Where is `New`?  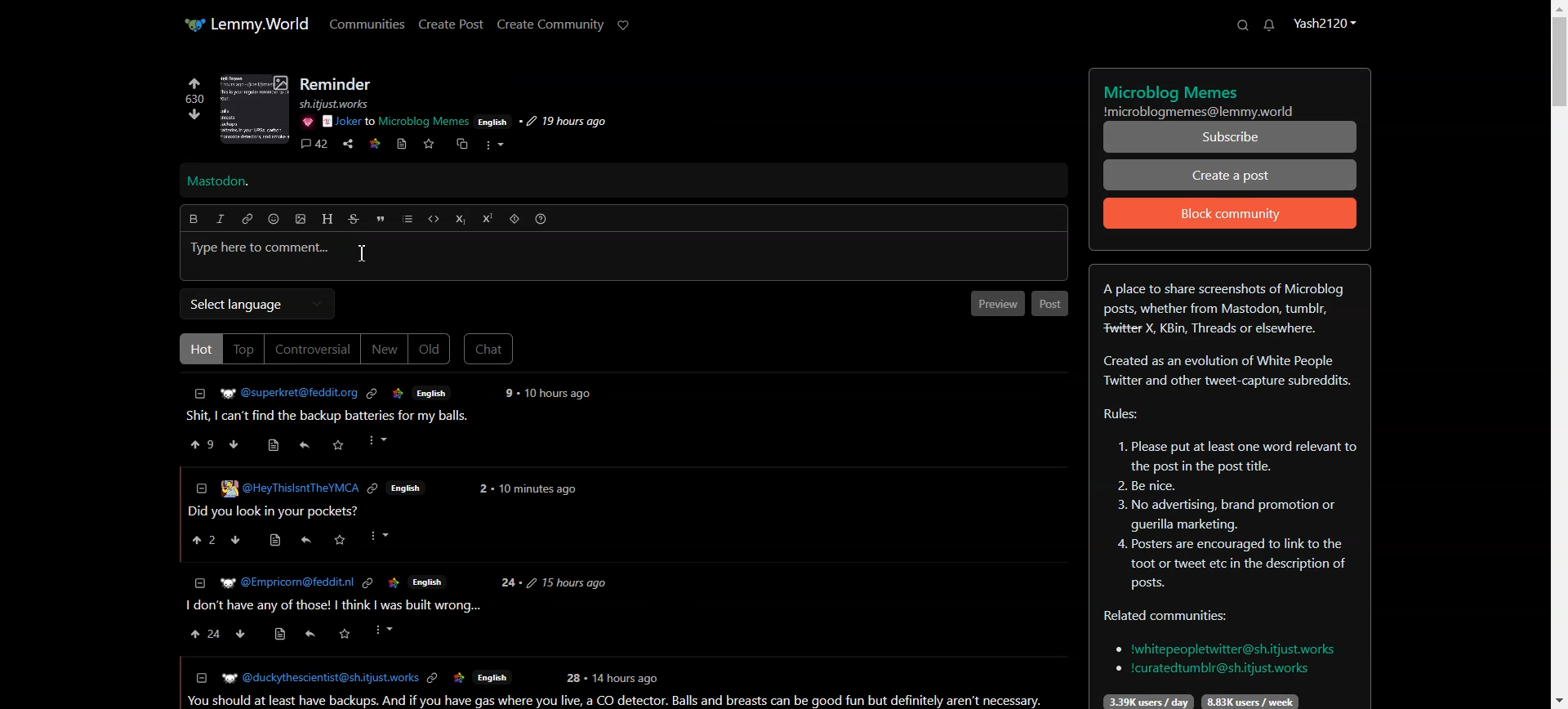
New is located at coordinates (384, 349).